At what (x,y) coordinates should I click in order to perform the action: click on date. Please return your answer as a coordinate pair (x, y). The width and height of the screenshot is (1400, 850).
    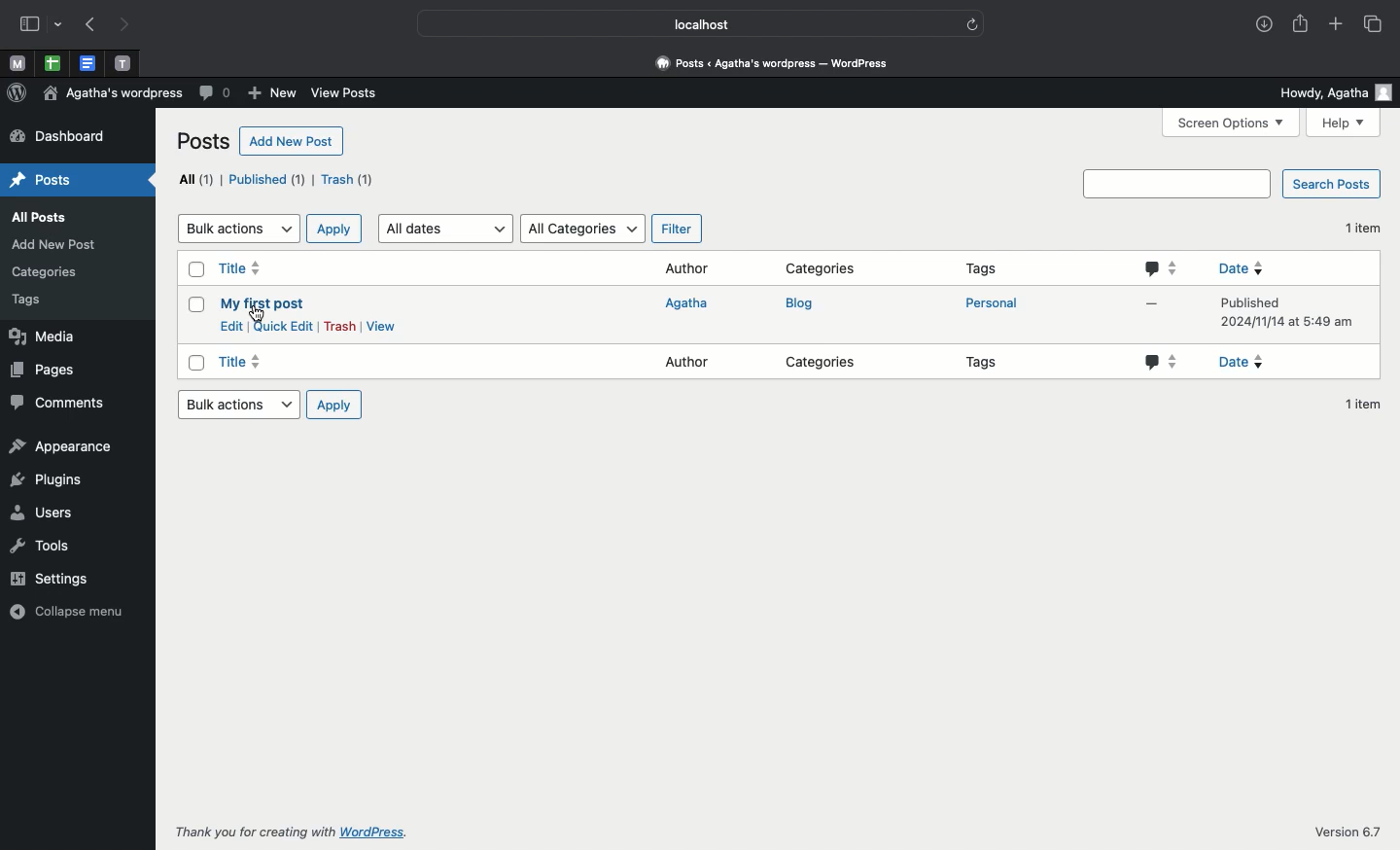
    Looking at the image, I should click on (1267, 360).